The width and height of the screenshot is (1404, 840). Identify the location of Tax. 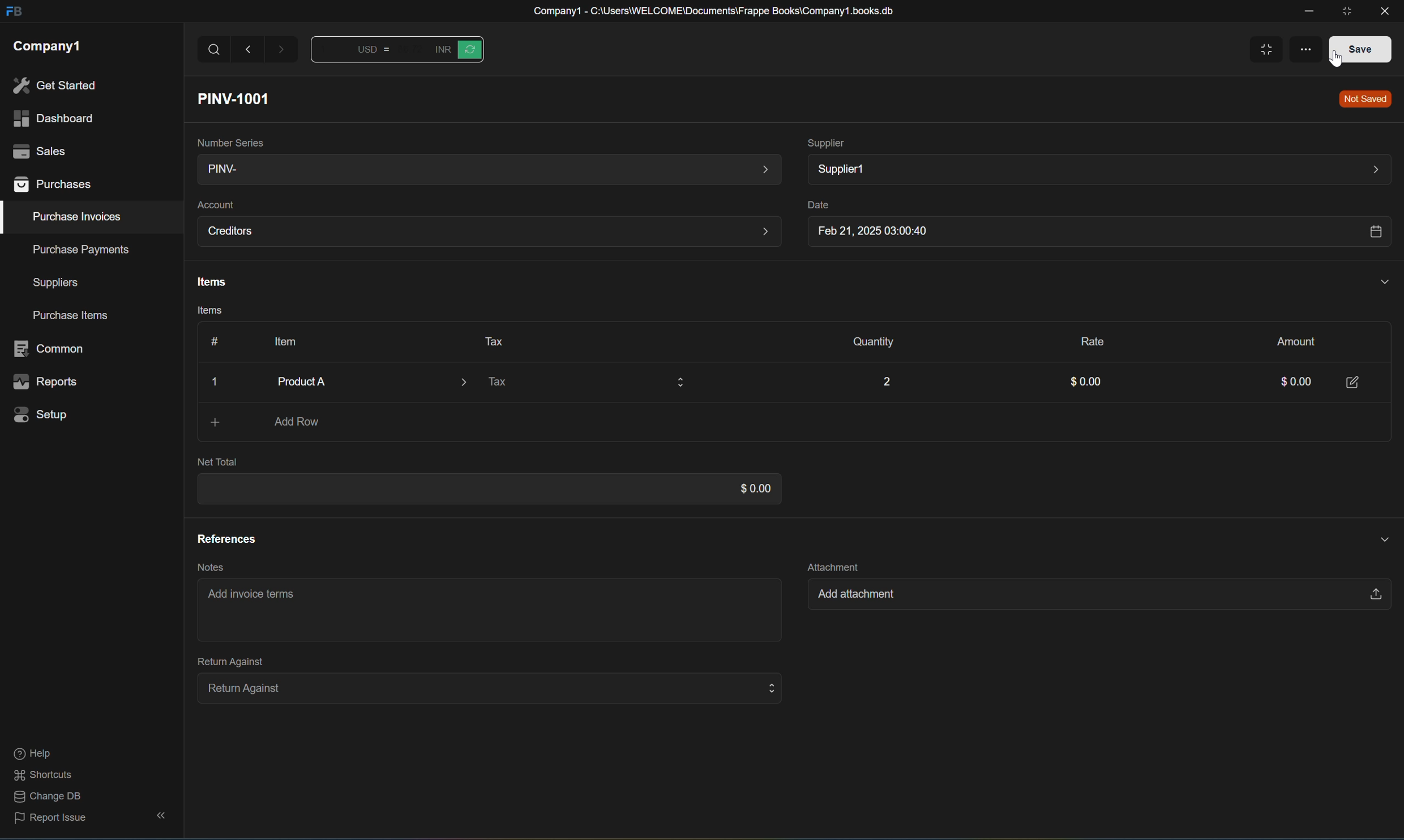
(489, 340).